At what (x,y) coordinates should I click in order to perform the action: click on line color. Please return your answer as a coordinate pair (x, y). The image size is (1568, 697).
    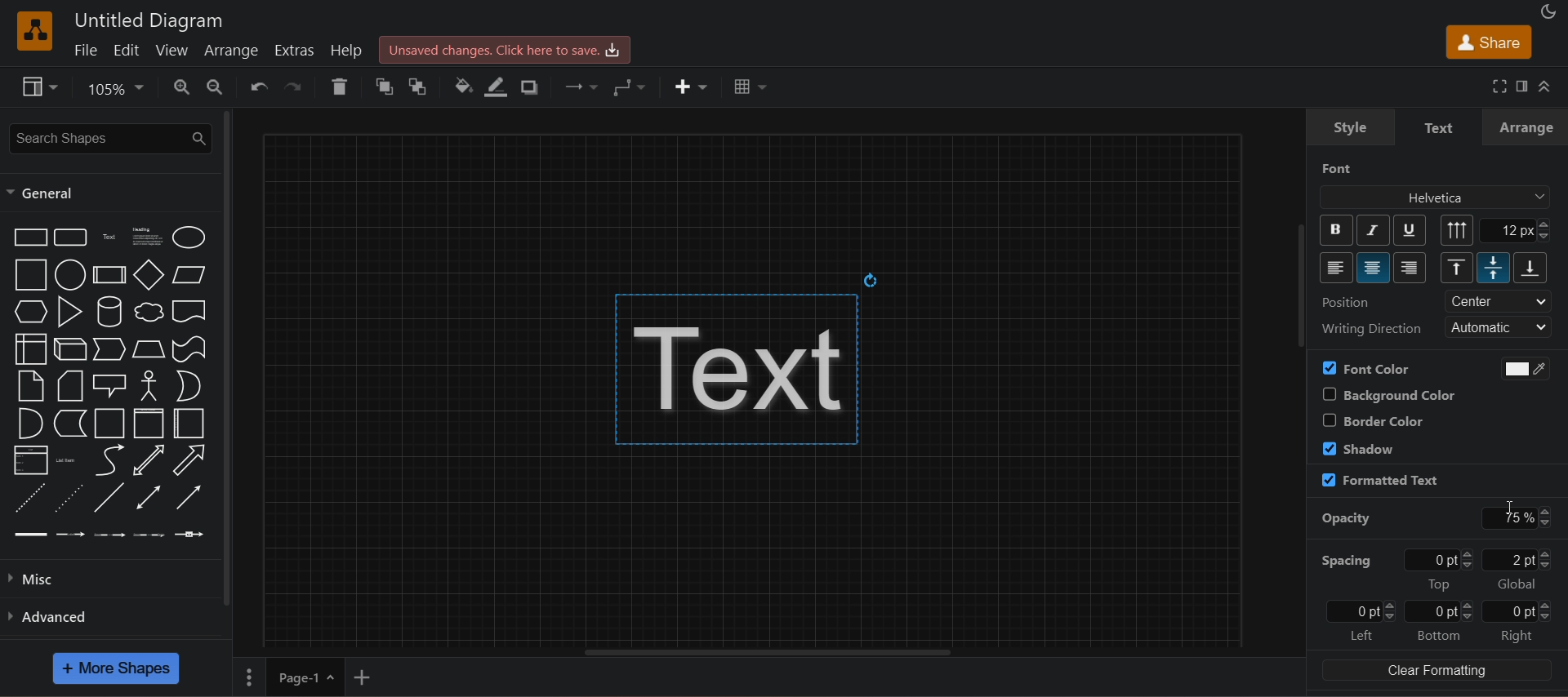
    Looking at the image, I should click on (497, 87).